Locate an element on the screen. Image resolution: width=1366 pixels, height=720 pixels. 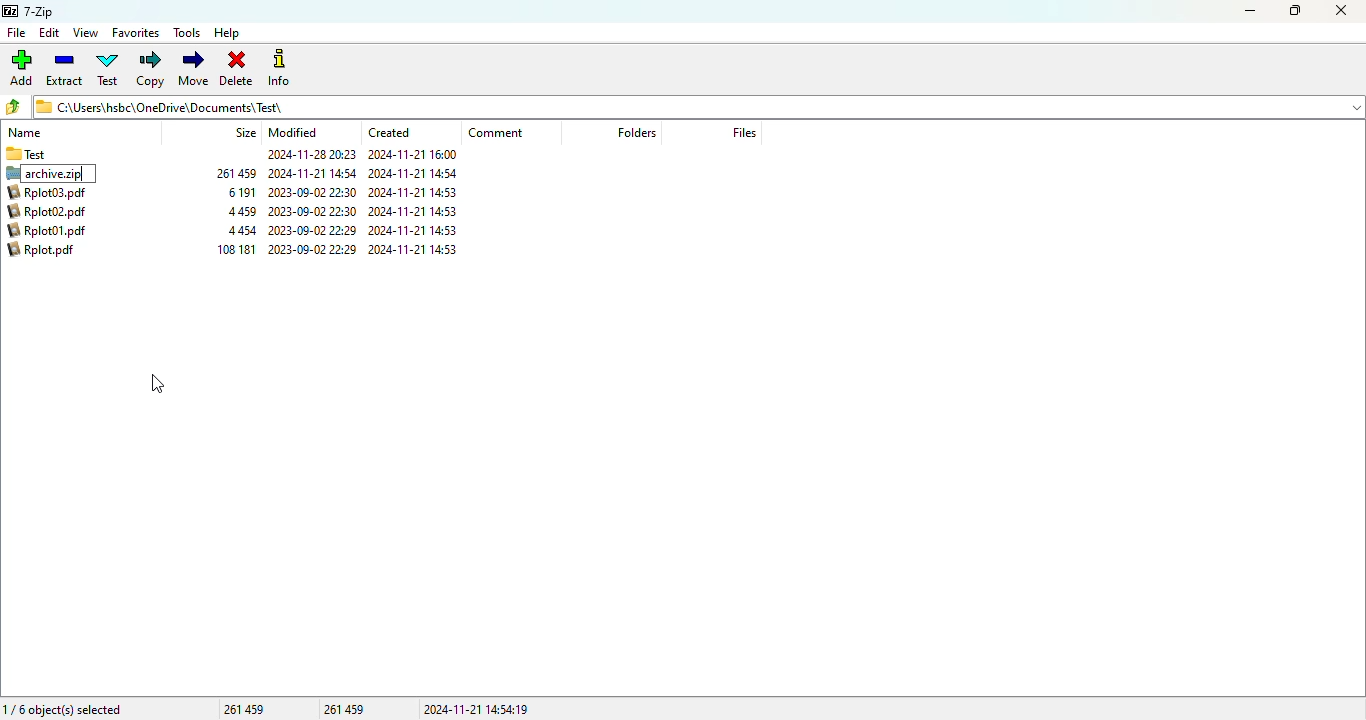
2024-11-21 16:00 is located at coordinates (415, 155).